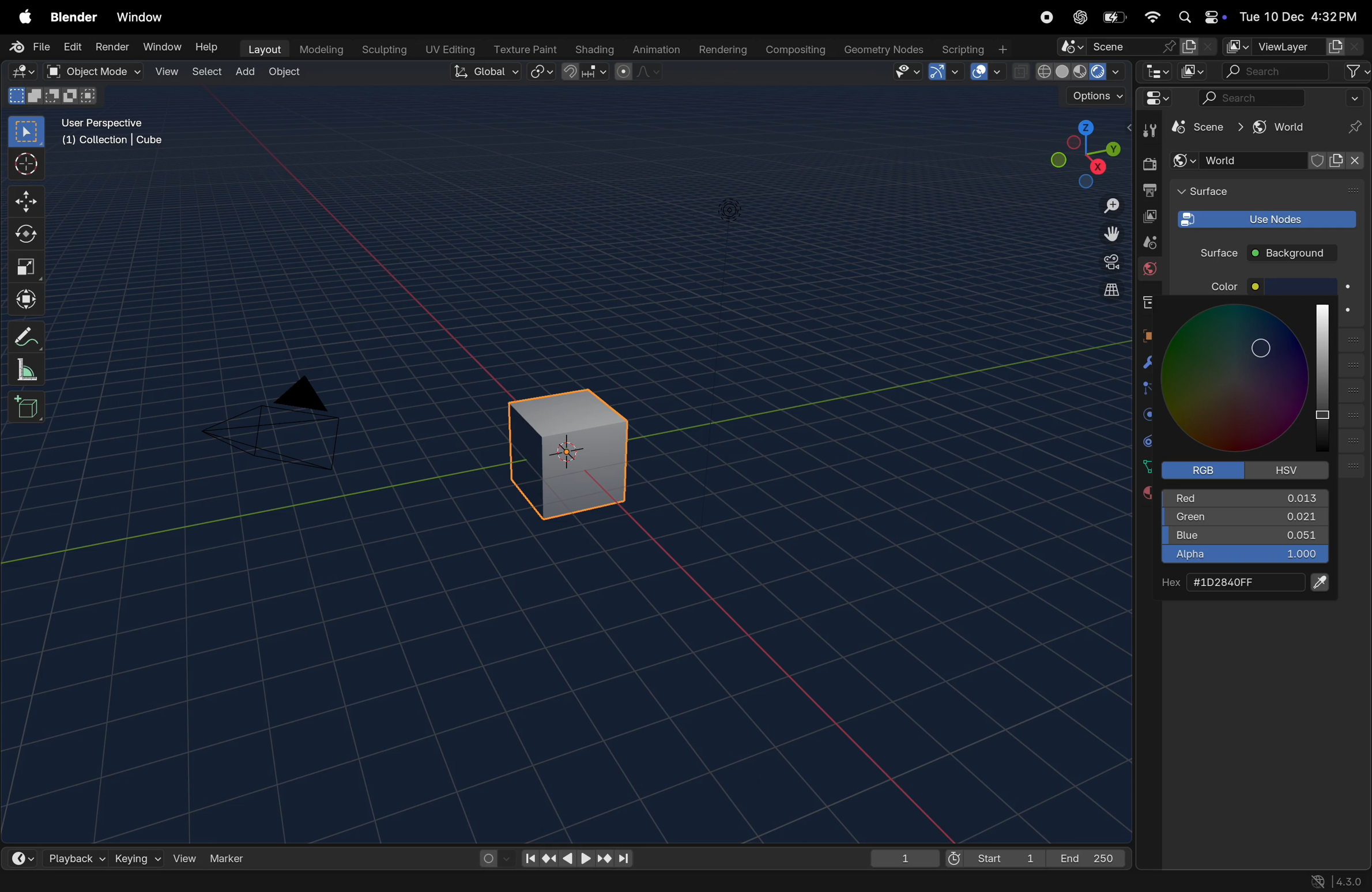  I want to click on view point, so click(1083, 152).